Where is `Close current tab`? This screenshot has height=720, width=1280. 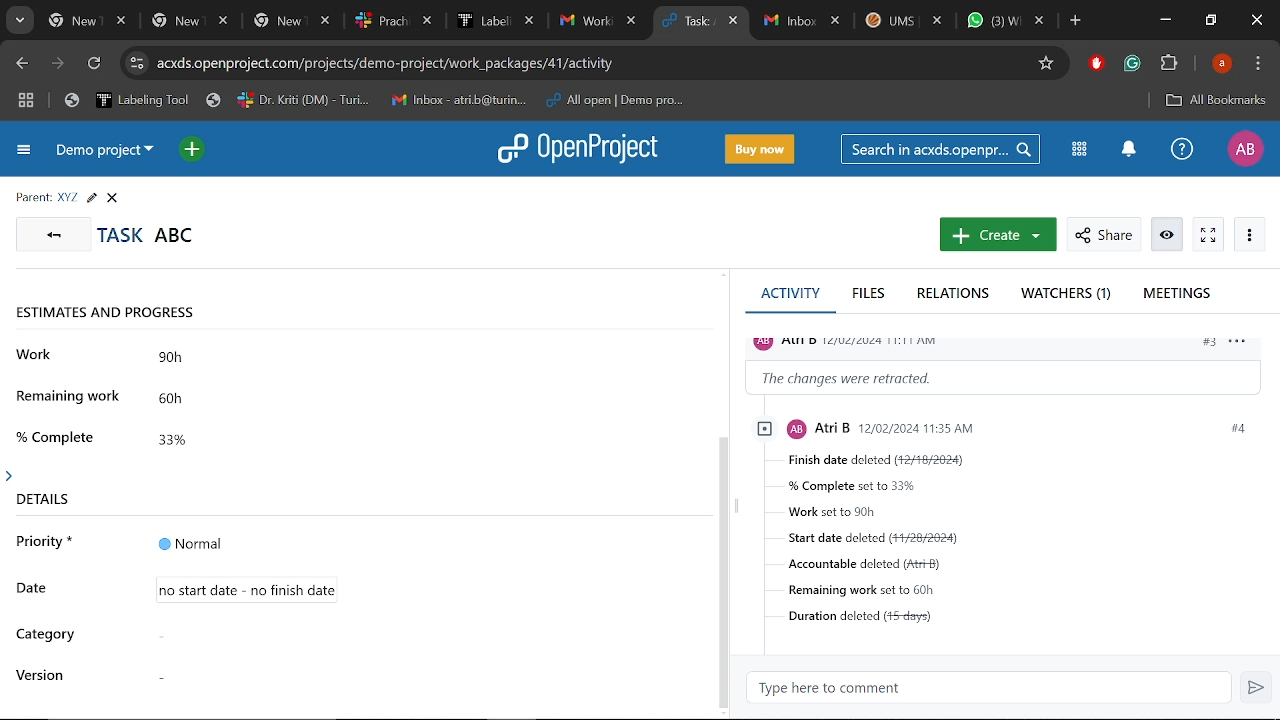 Close current tab is located at coordinates (735, 23).